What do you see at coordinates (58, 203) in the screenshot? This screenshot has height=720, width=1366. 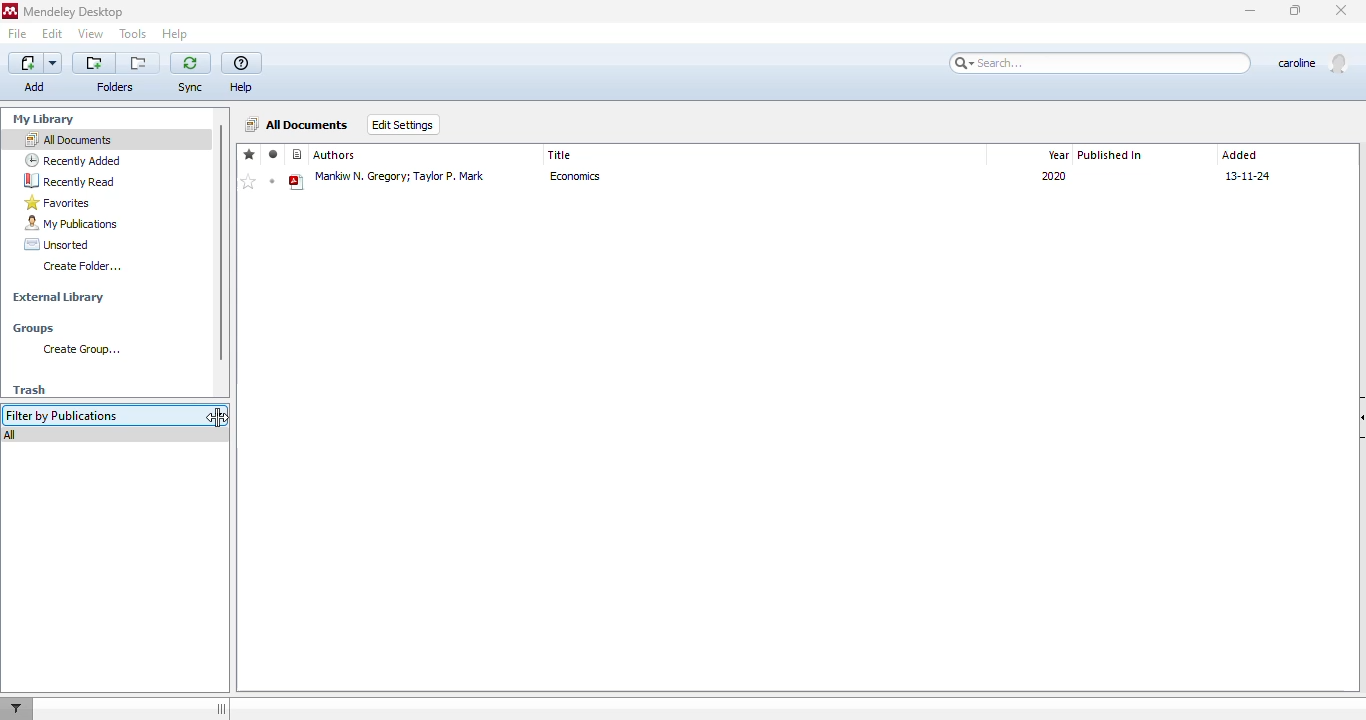 I see `favorites` at bounding box center [58, 203].